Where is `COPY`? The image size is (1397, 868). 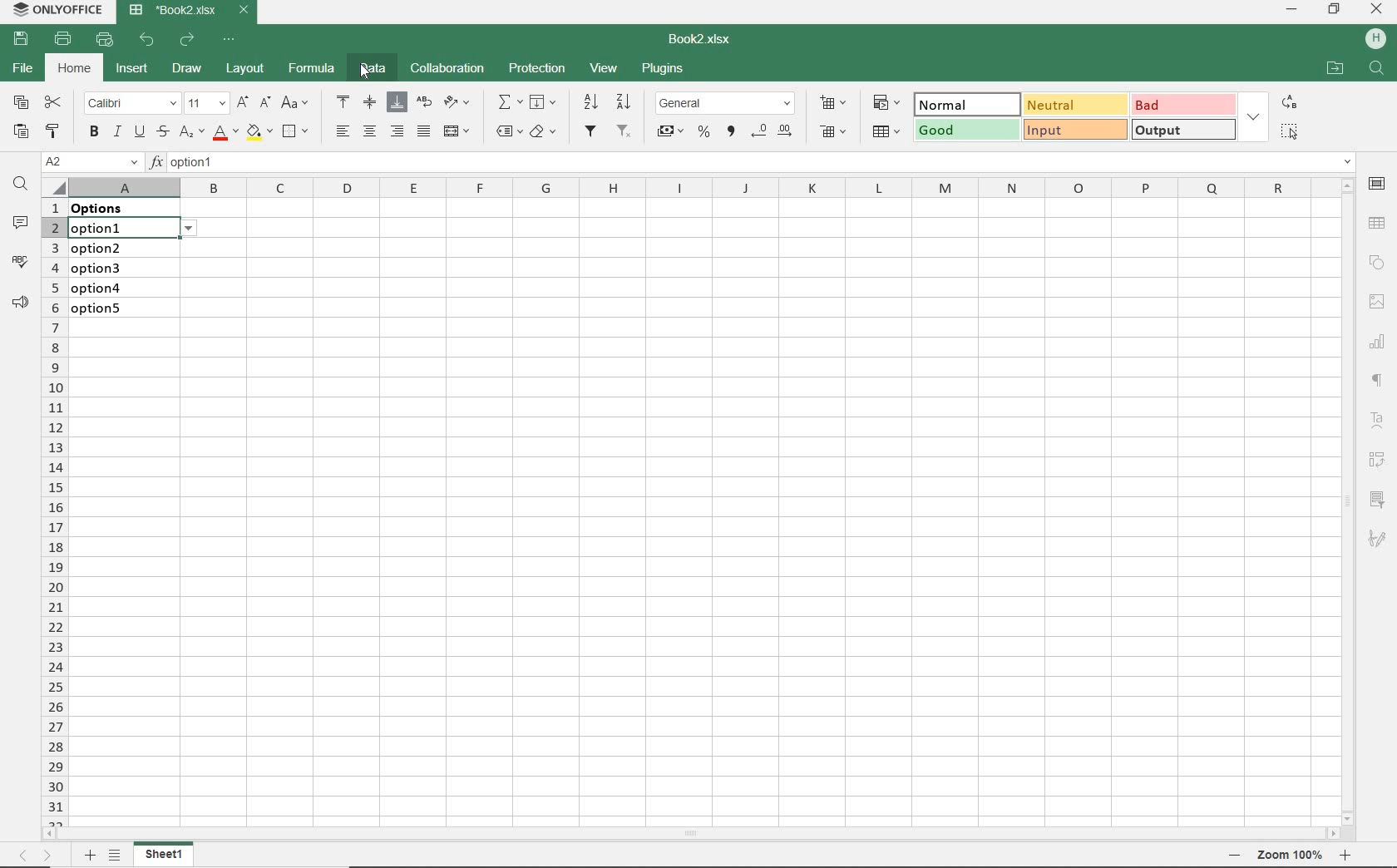
COPY is located at coordinates (19, 101).